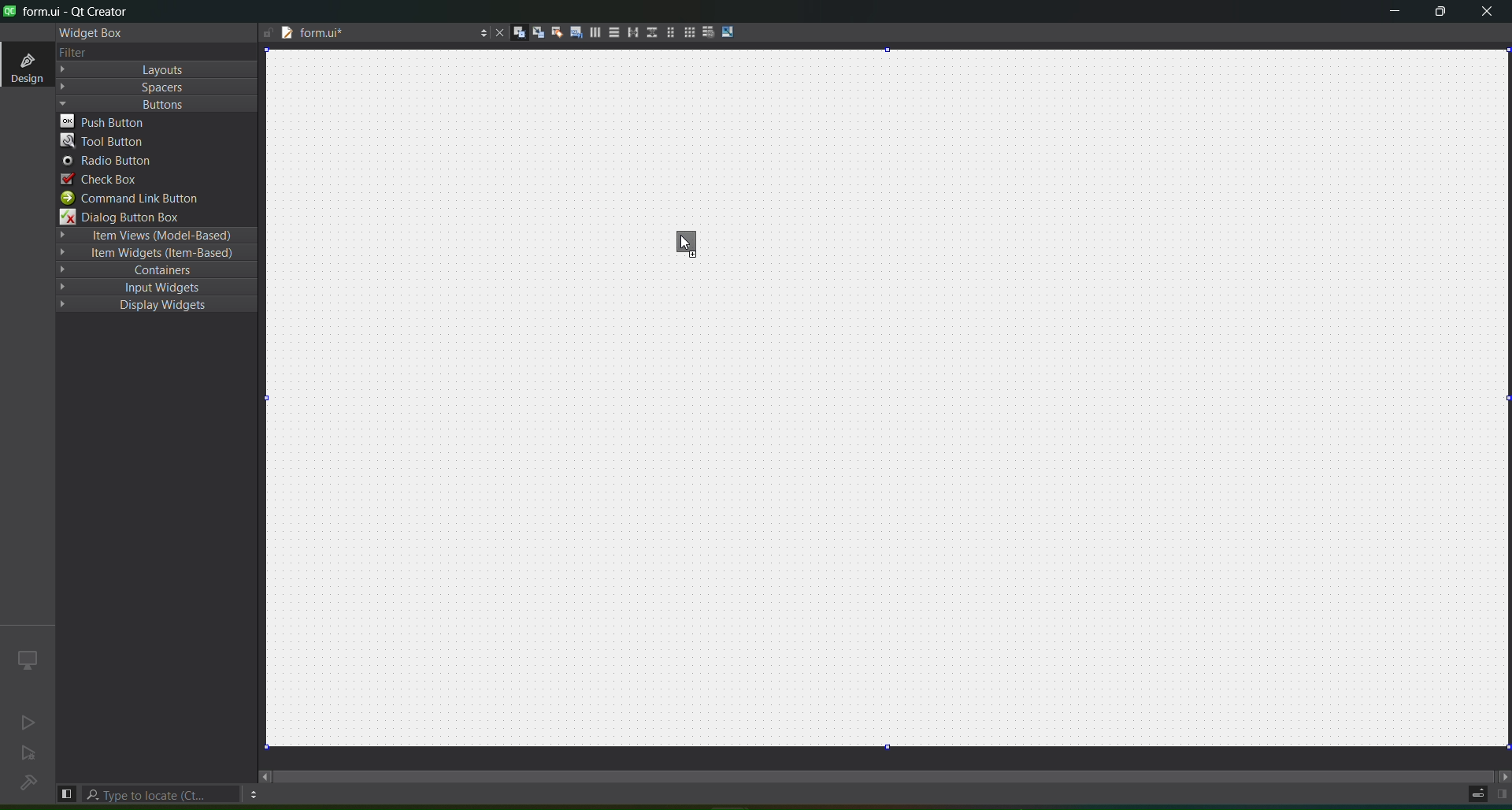  Describe the element at coordinates (31, 720) in the screenshot. I see `no active project` at that location.